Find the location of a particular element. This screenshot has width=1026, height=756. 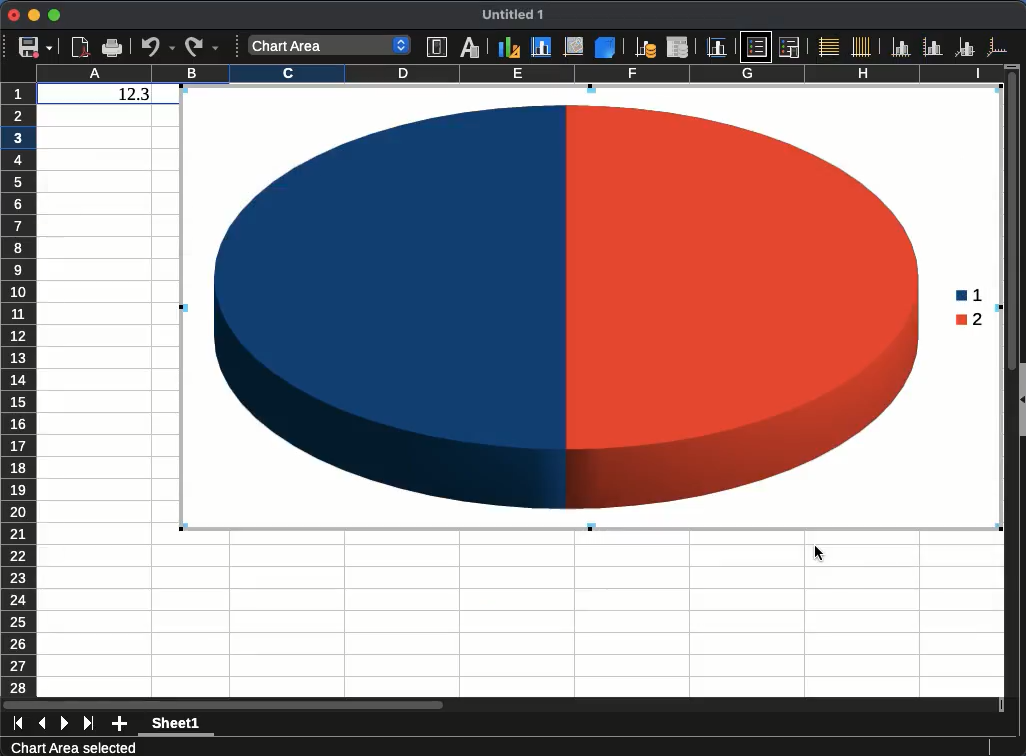

Horizontal slide bar is located at coordinates (223, 704).